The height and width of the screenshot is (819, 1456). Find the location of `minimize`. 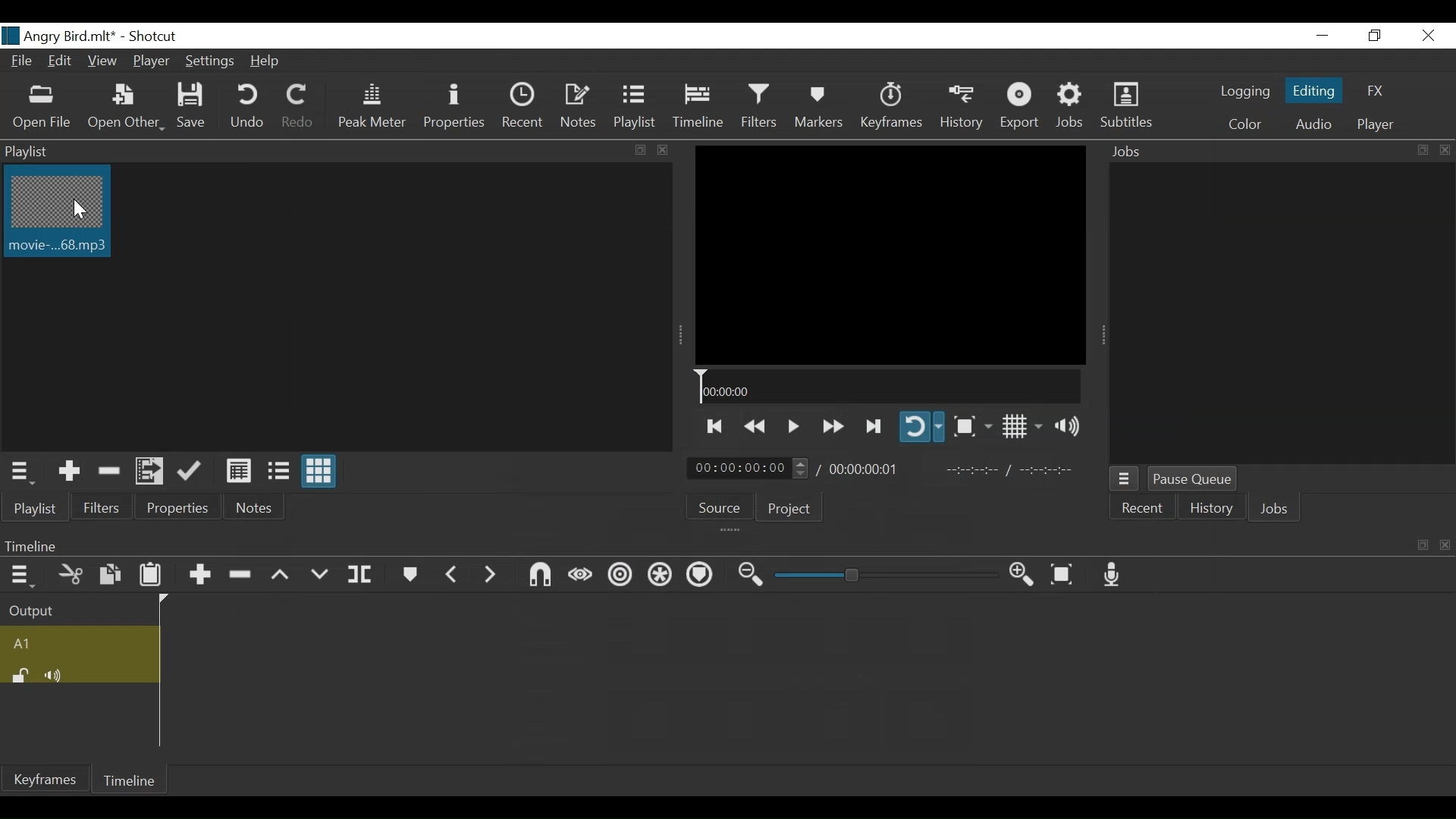

minimize is located at coordinates (1320, 36).